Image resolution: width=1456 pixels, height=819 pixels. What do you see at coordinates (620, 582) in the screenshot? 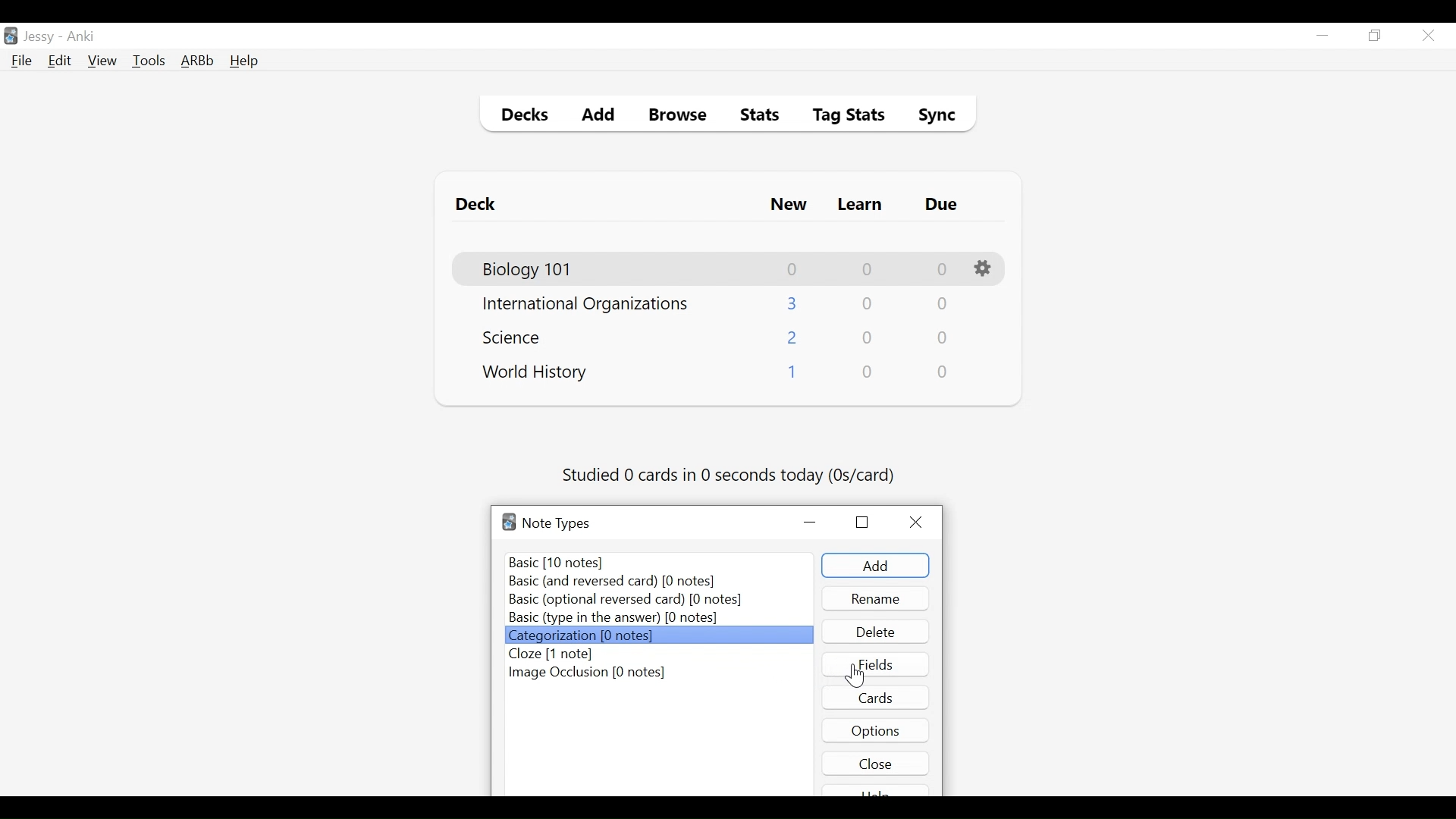
I see `Basic (and reversed card)  (number of notes)` at bounding box center [620, 582].